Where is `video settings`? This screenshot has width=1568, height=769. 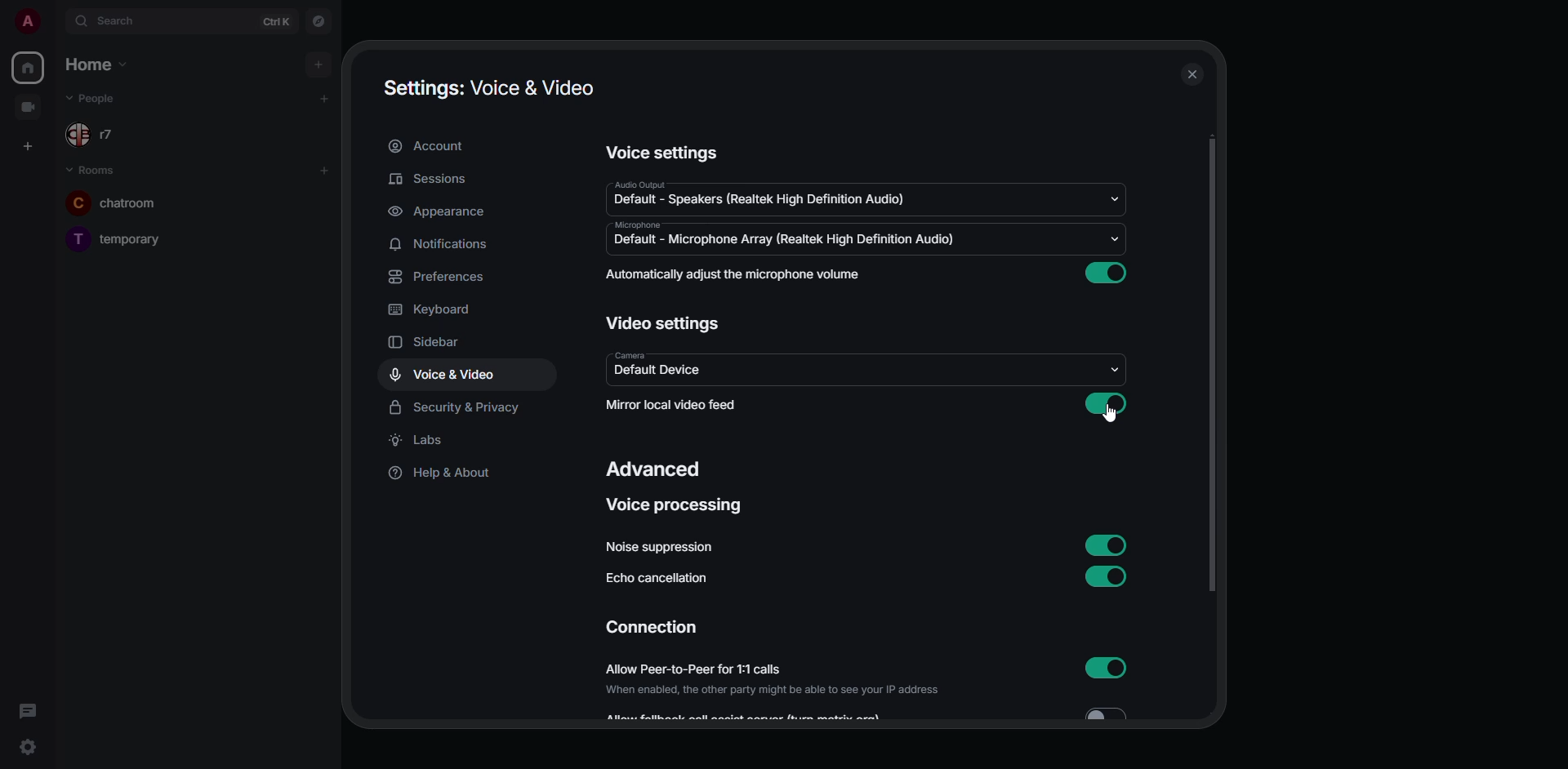 video settings is located at coordinates (663, 326).